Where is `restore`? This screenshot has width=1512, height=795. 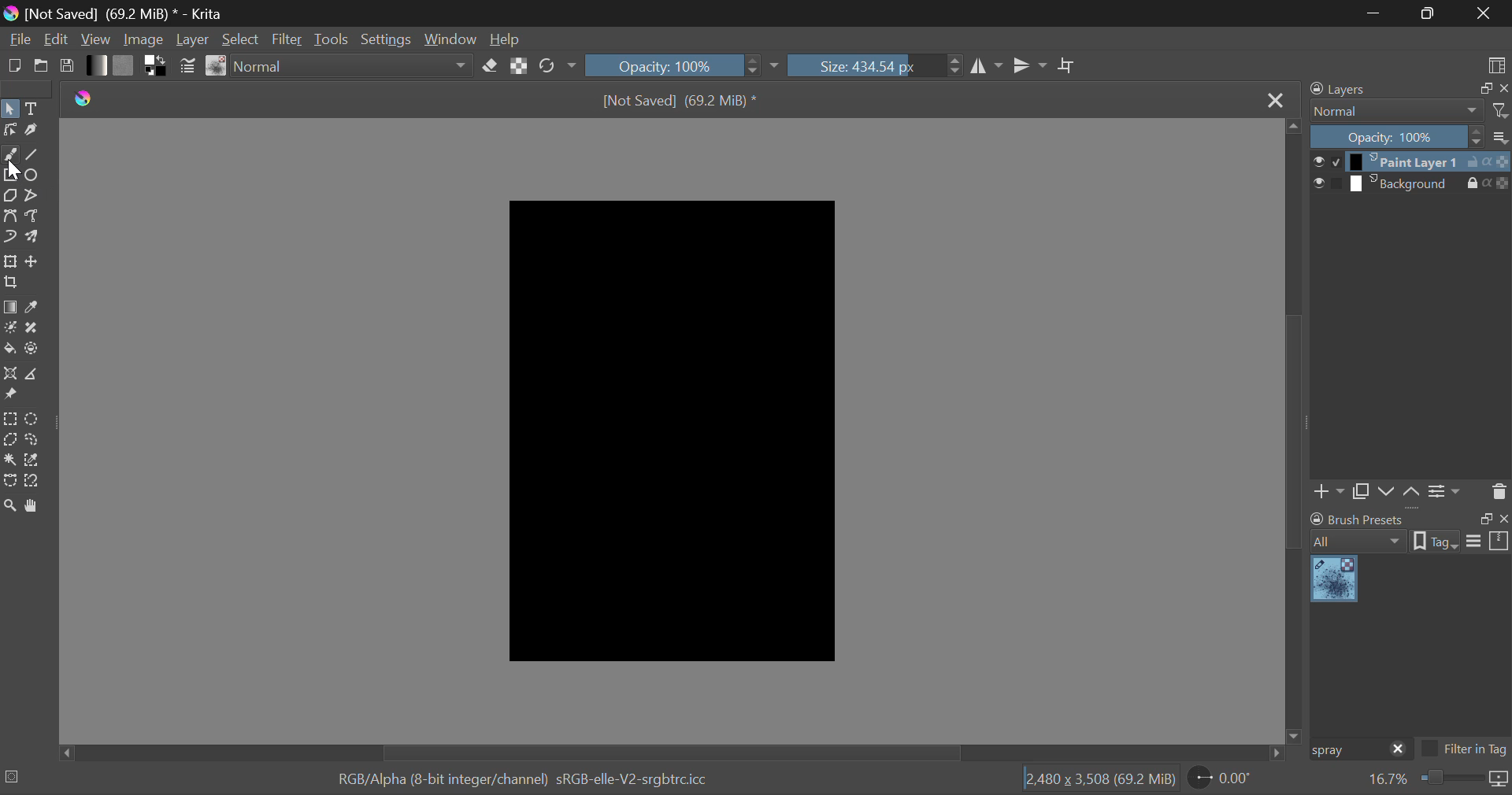 restore is located at coordinates (1483, 89).